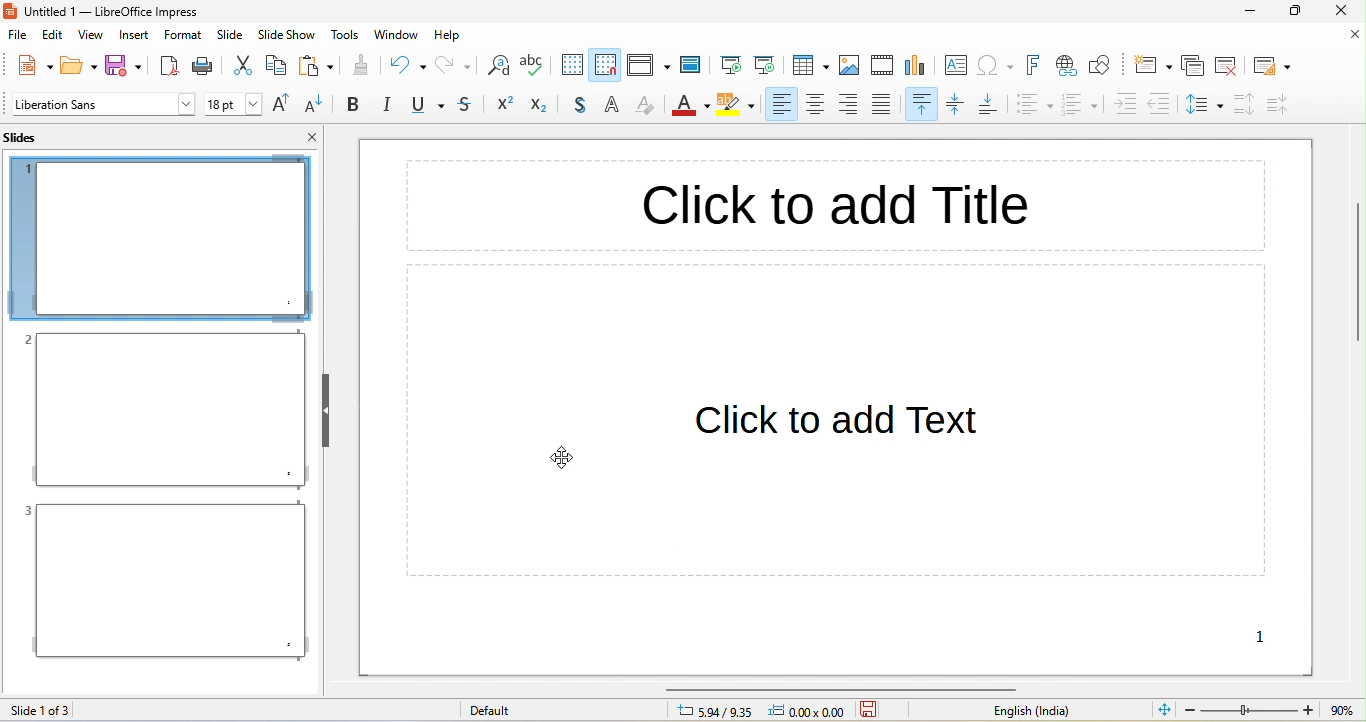  I want to click on font size, so click(233, 104).